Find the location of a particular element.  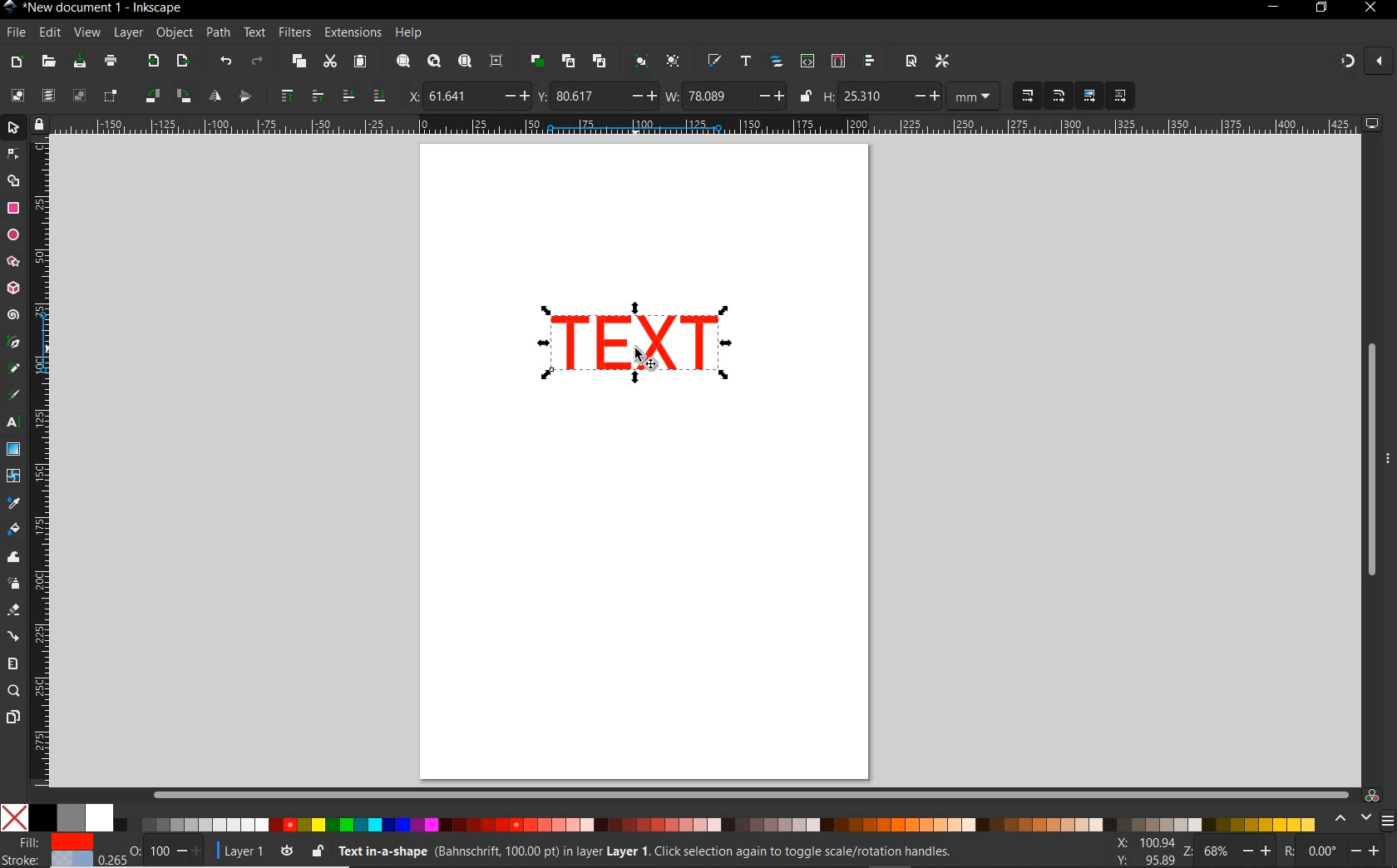

open document properties is located at coordinates (911, 61).